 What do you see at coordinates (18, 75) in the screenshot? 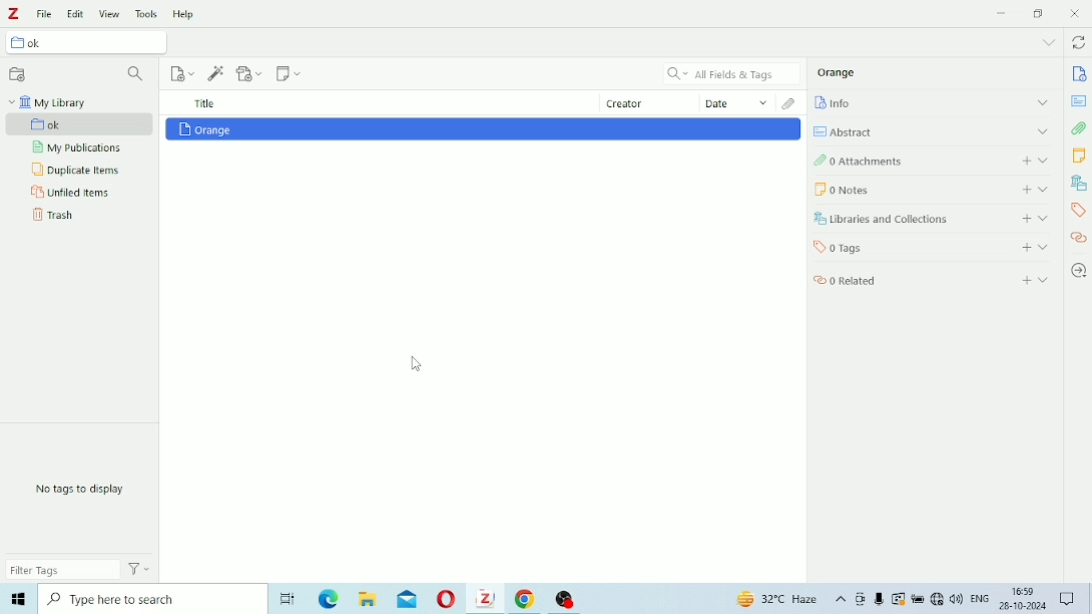
I see `New Collection` at bounding box center [18, 75].